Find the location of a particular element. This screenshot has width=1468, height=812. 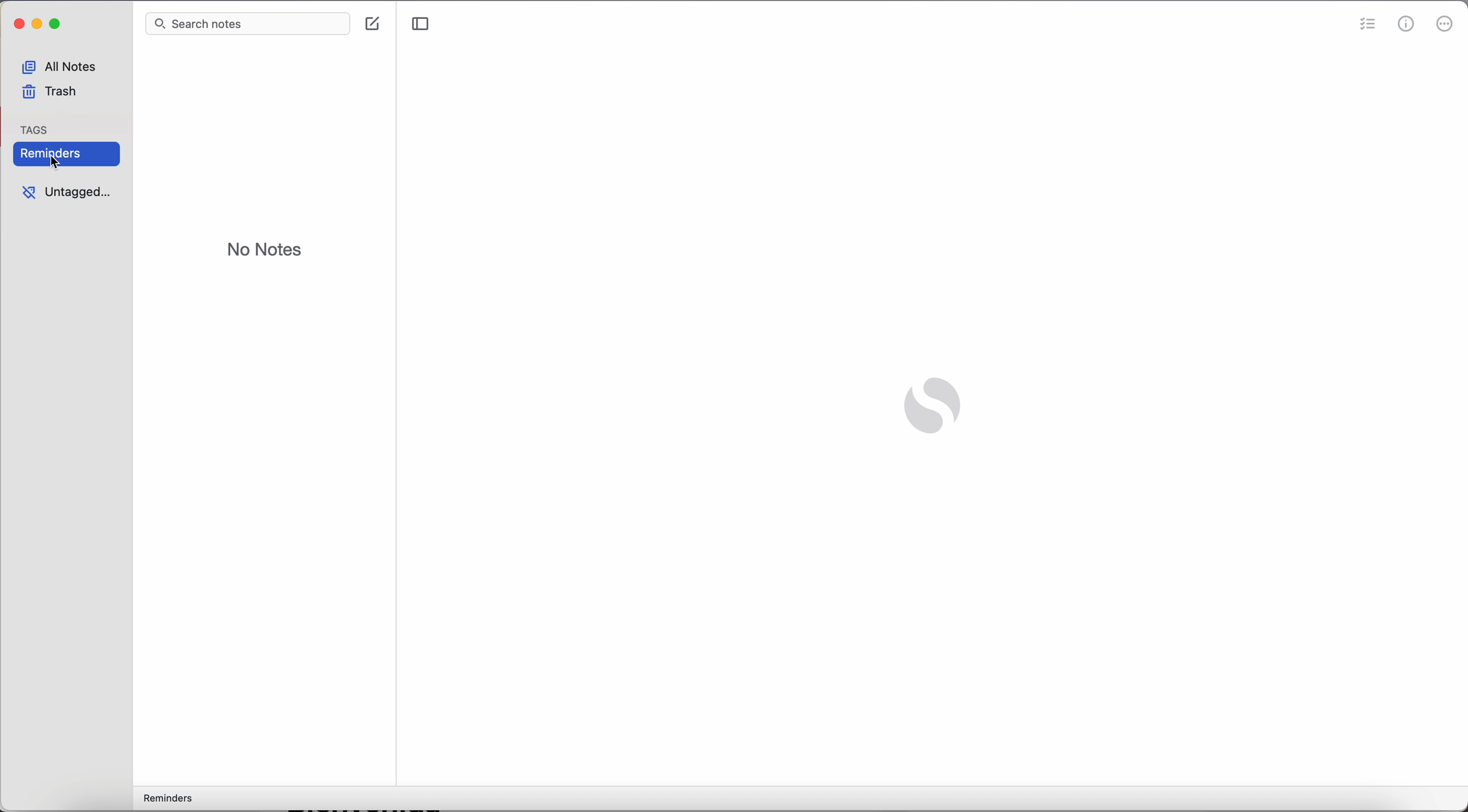

minimize Simplenote is located at coordinates (38, 26).